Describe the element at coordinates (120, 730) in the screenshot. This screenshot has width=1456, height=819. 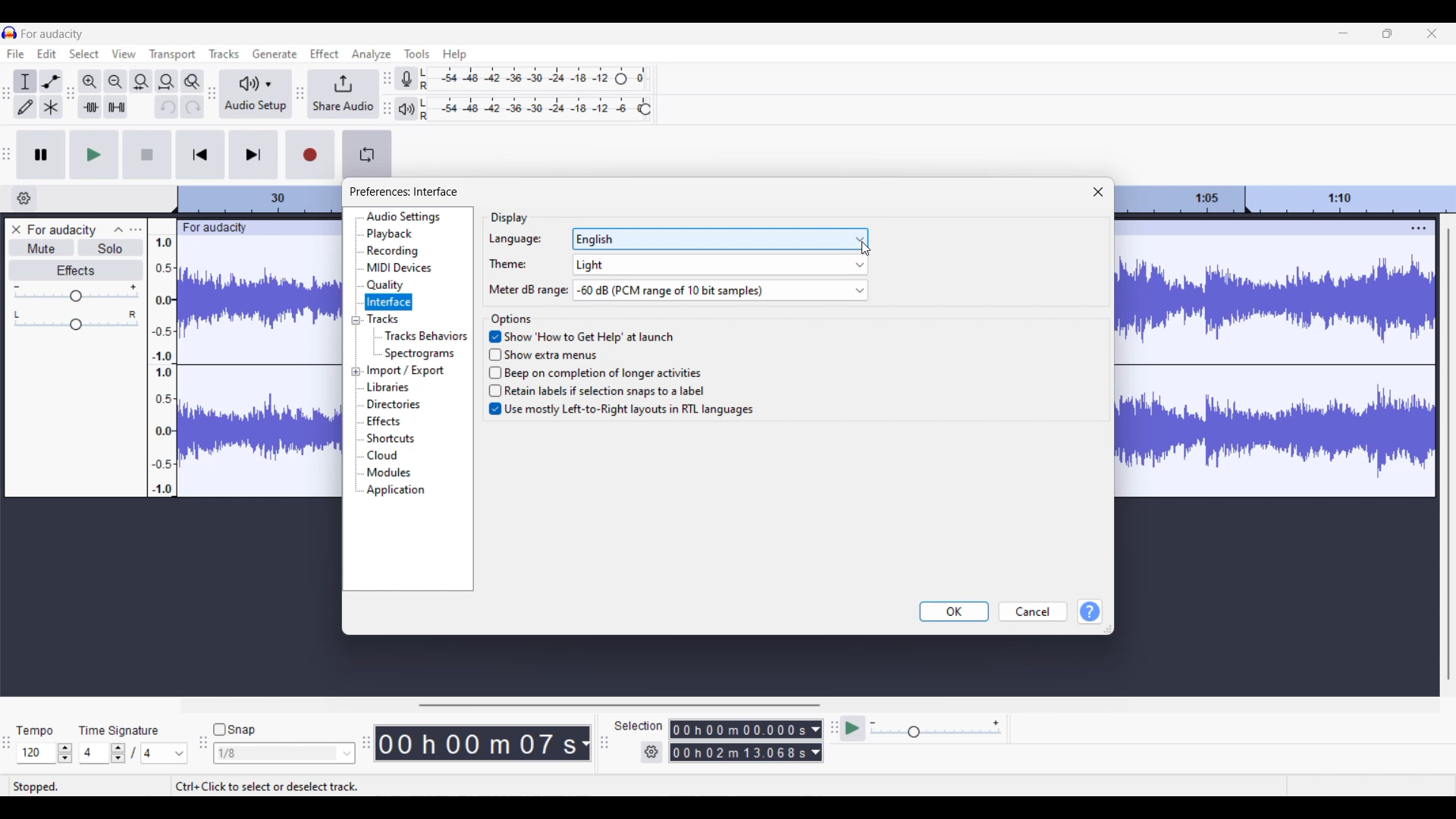
I see `time signature` at that location.